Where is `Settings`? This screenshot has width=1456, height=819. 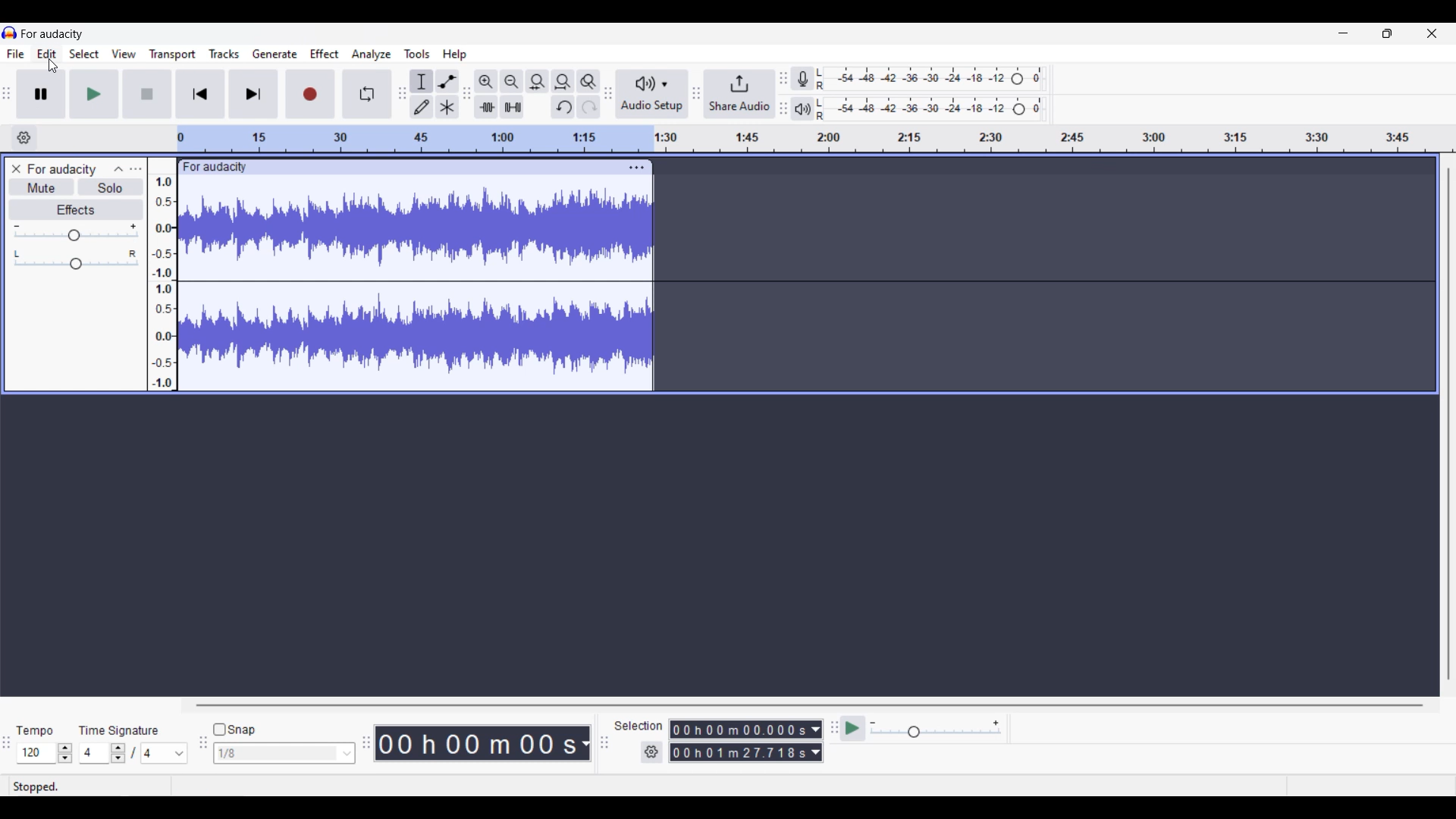 Settings is located at coordinates (651, 752).